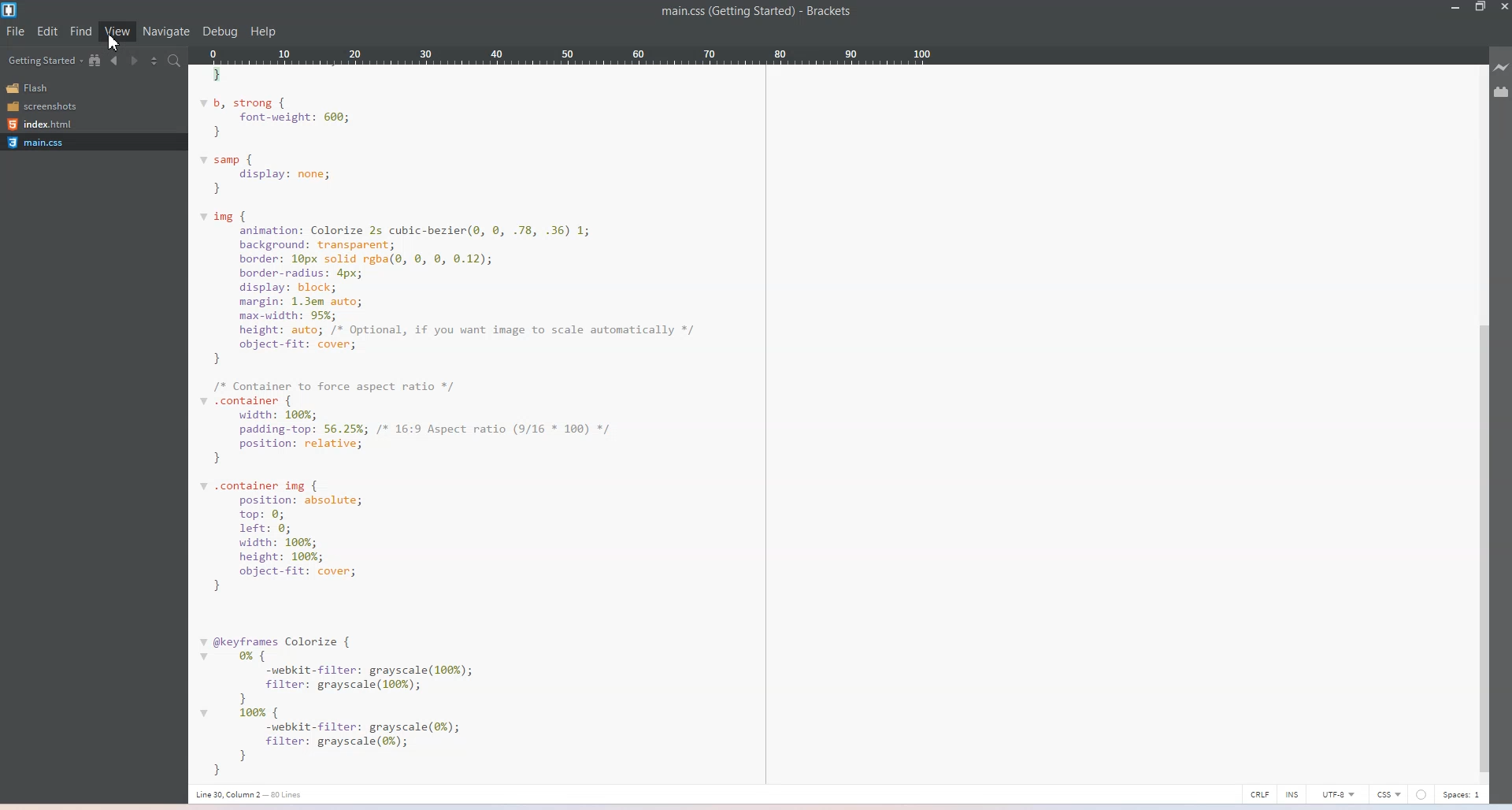 The height and width of the screenshot is (810, 1512). I want to click on Cursor, so click(112, 43).